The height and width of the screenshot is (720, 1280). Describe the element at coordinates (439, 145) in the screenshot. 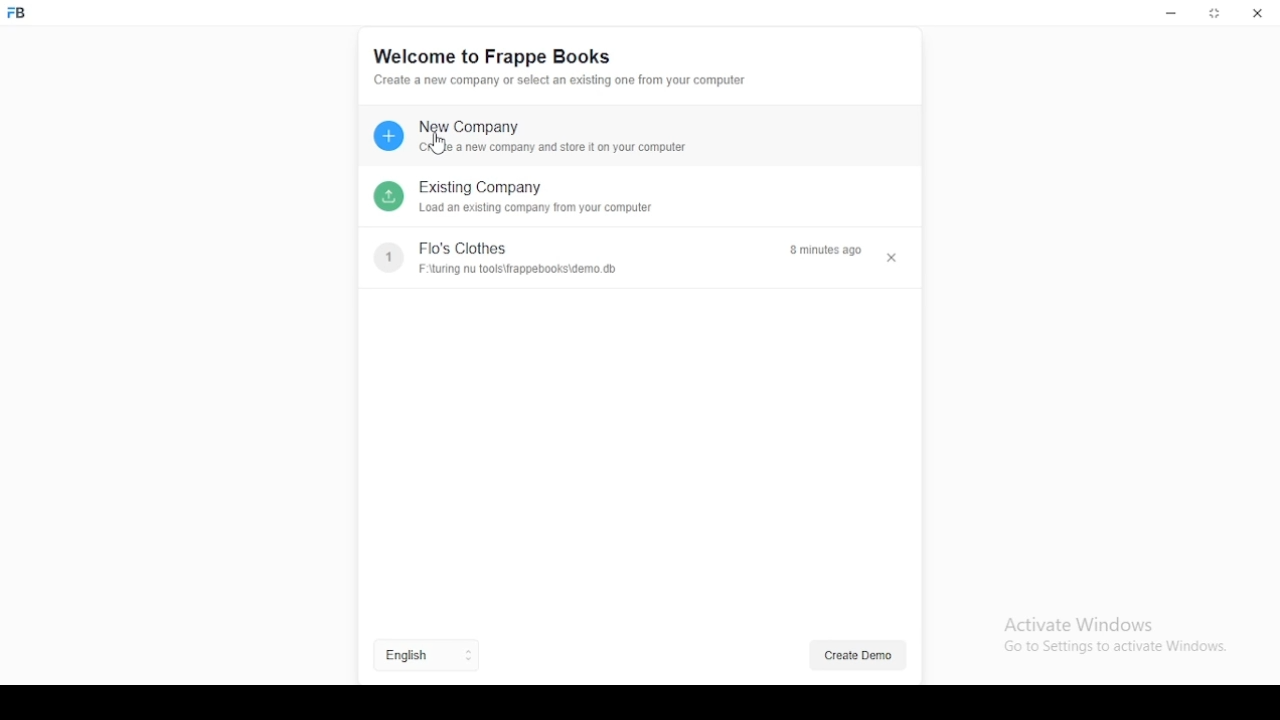

I see `mouse pointer` at that location.